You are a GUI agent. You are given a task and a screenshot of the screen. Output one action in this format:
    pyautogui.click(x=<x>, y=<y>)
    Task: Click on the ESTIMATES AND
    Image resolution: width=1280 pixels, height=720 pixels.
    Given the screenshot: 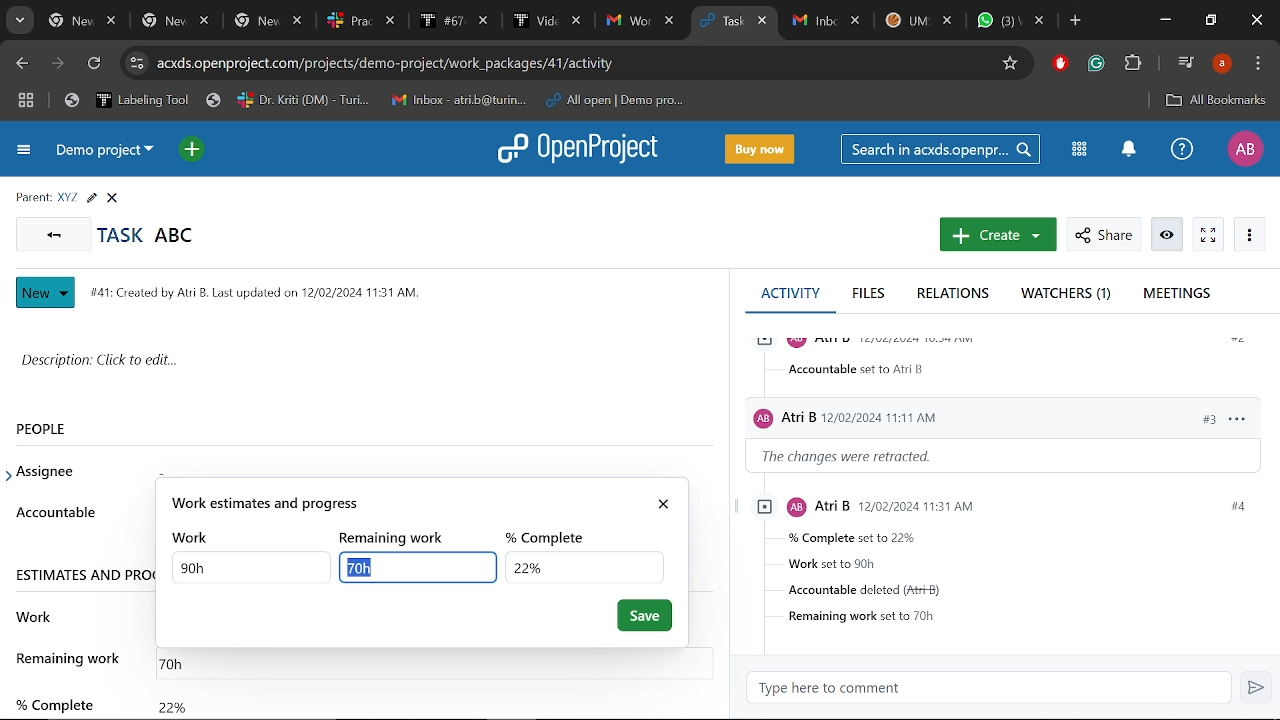 What is the action you would take?
    pyautogui.click(x=83, y=573)
    